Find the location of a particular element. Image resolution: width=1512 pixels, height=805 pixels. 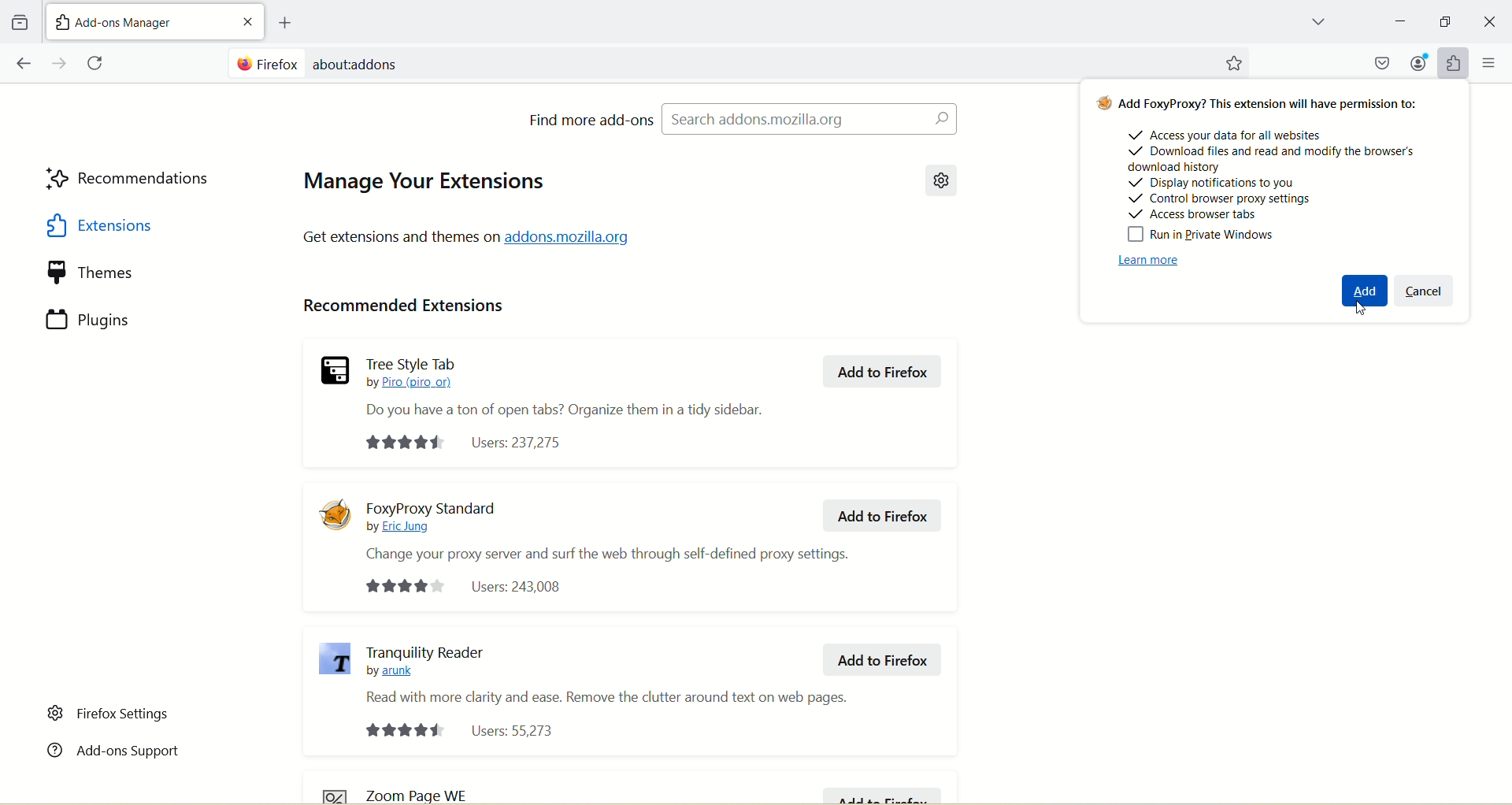

Widget is located at coordinates (1453, 63).